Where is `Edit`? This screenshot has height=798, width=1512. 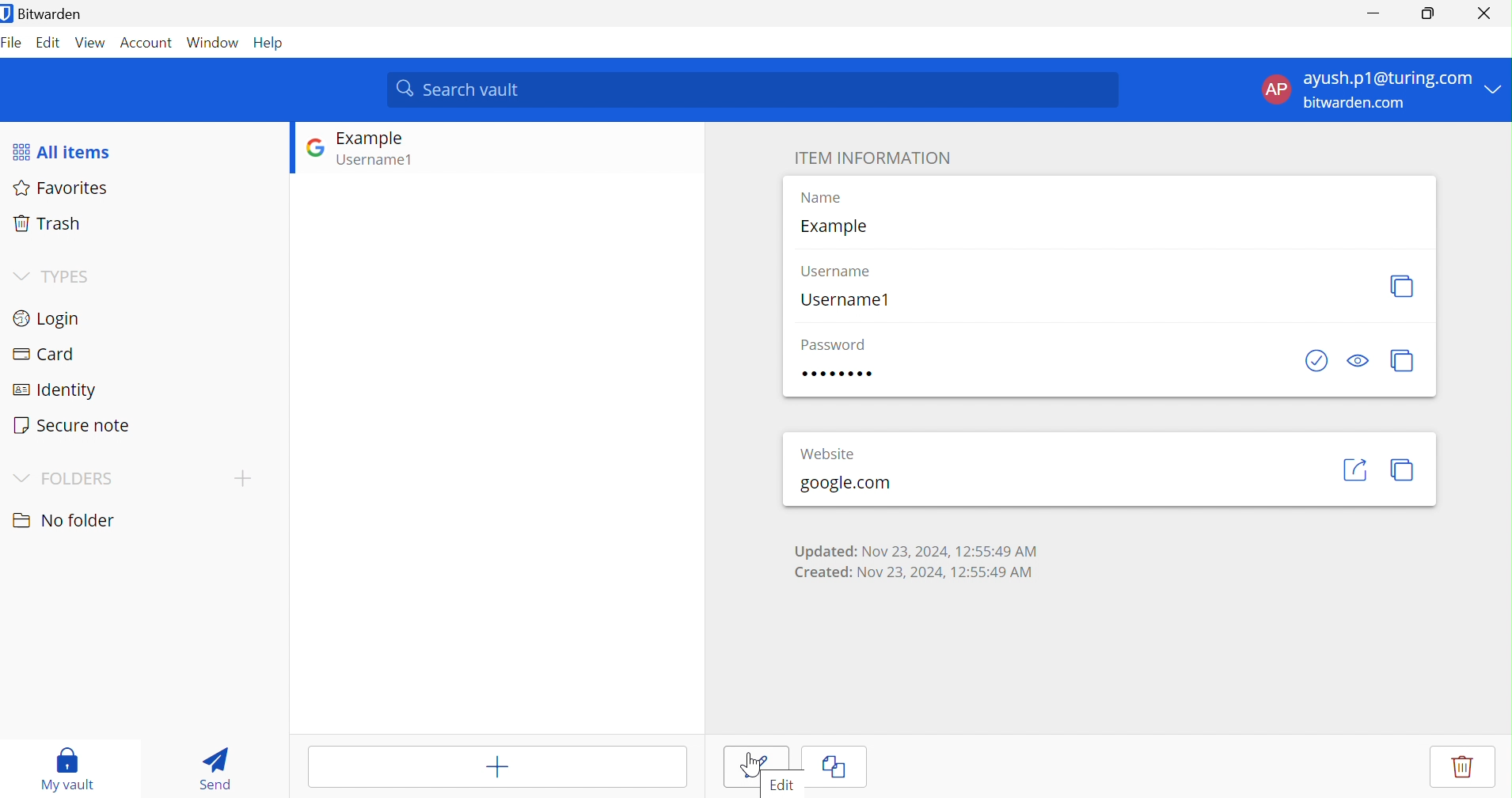 Edit is located at coordinates (781, 782).